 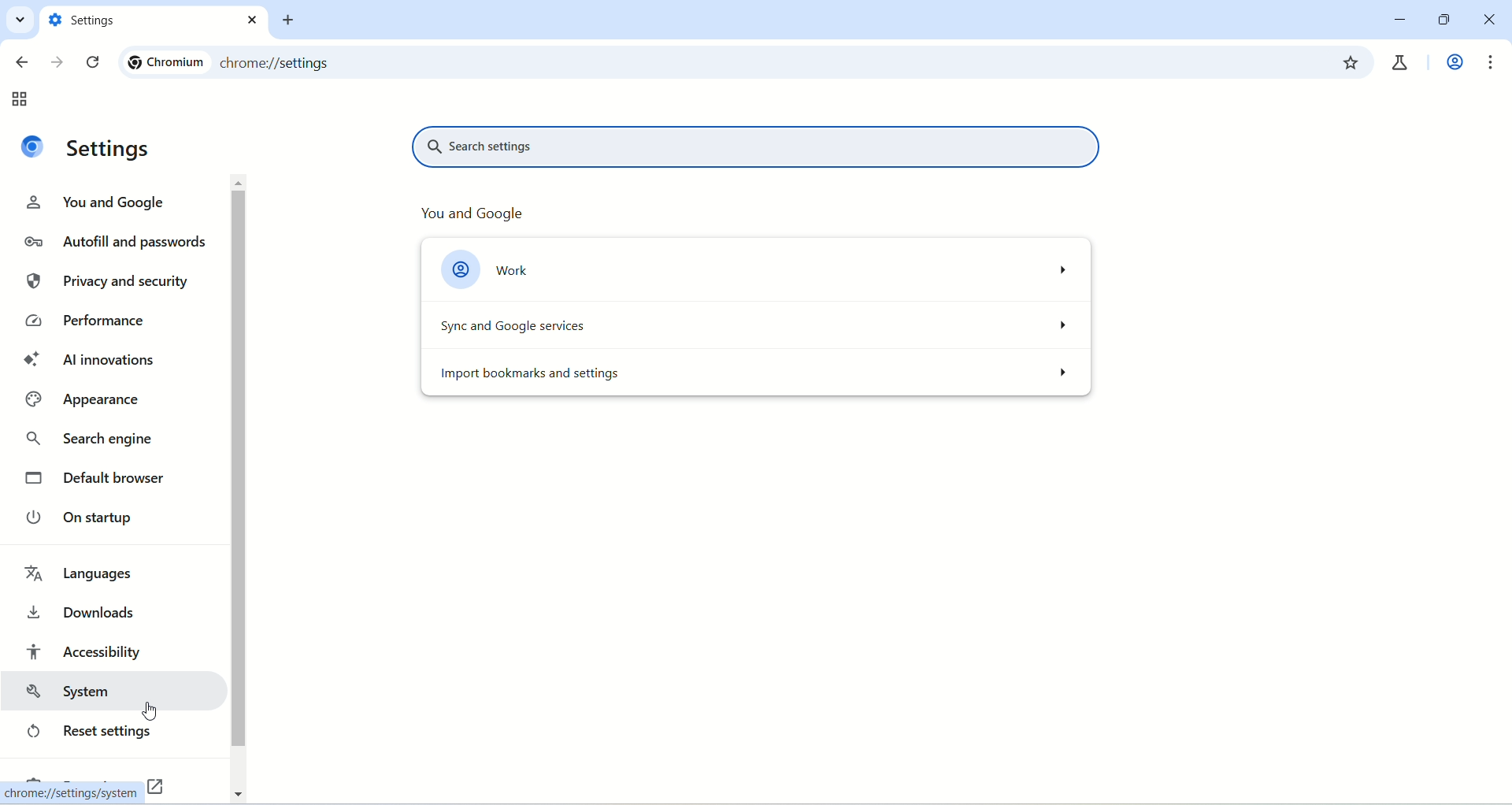 What do you see at coordinates (237, 792) in the screenshot?
I see `move down` at bounding box center [237, 792].